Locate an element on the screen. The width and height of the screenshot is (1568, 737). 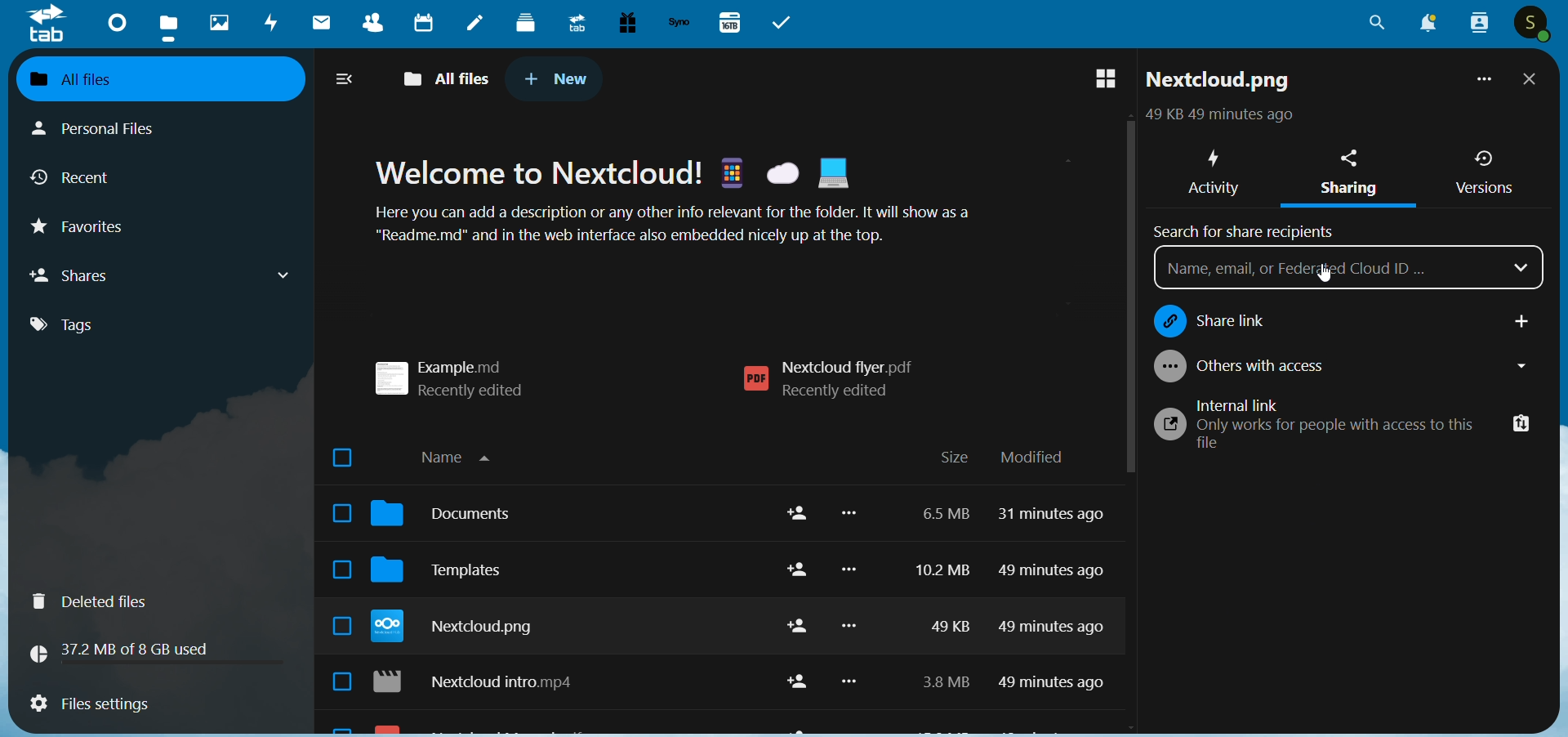
shares is located at coordinates (163, 275).